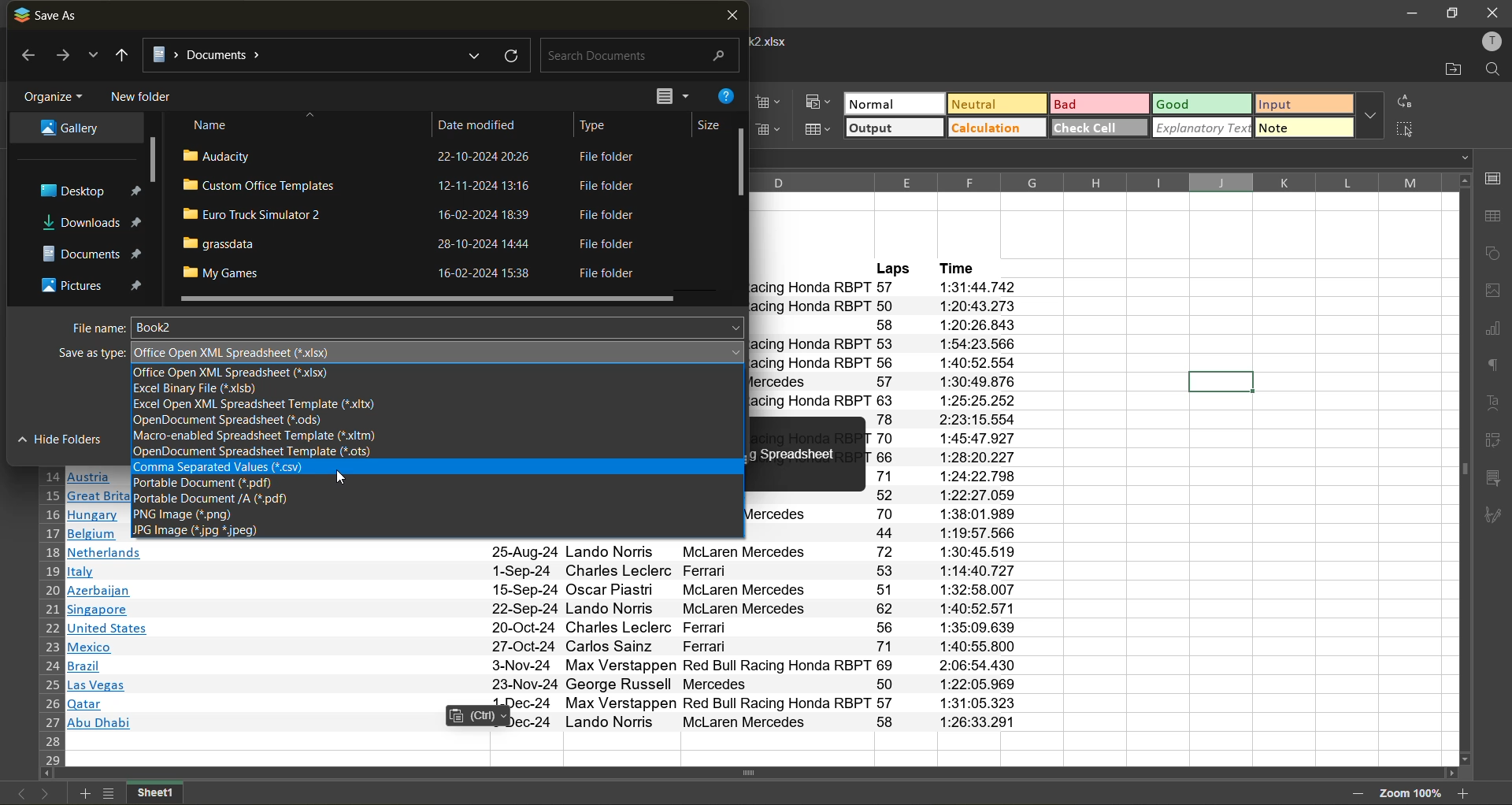 The width and height of the screenshot is (1512, 805). What do you see at coordinates (769, 102) in the screenshot?
I see `insert cells` at bounding box center [769, 102].